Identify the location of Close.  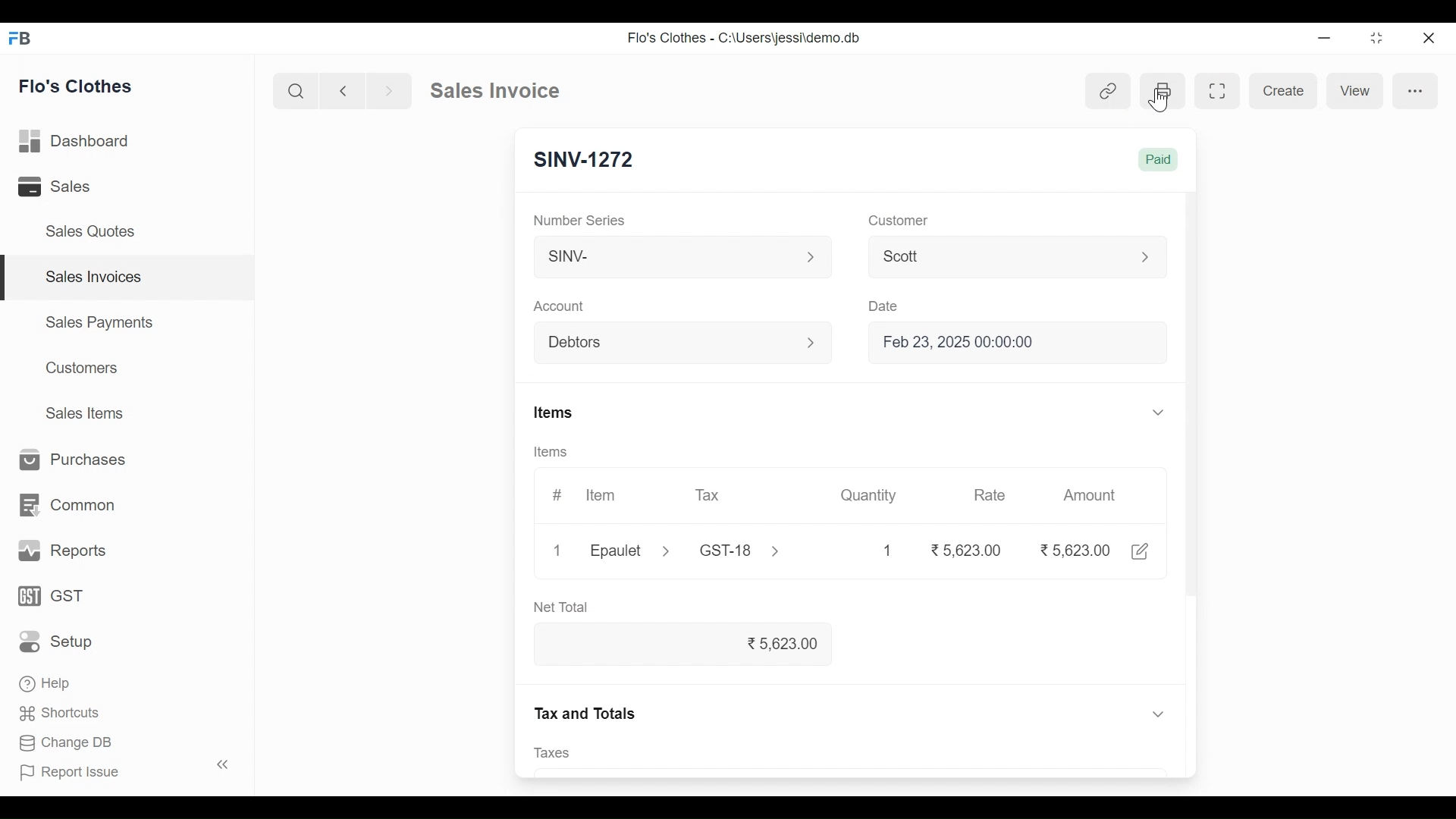
(1429, 39).